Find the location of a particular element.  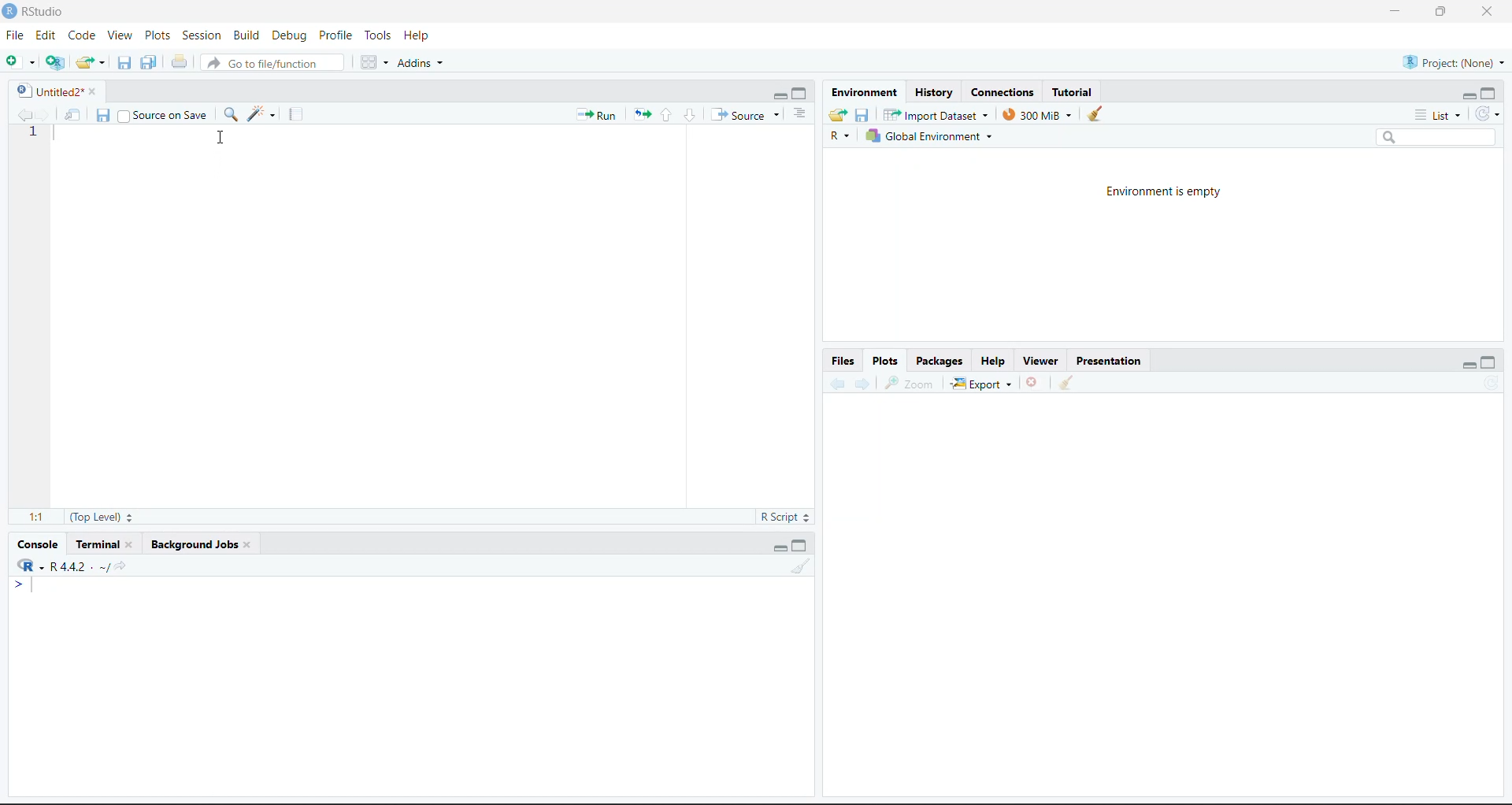

History is located at coordinates (934, 93).